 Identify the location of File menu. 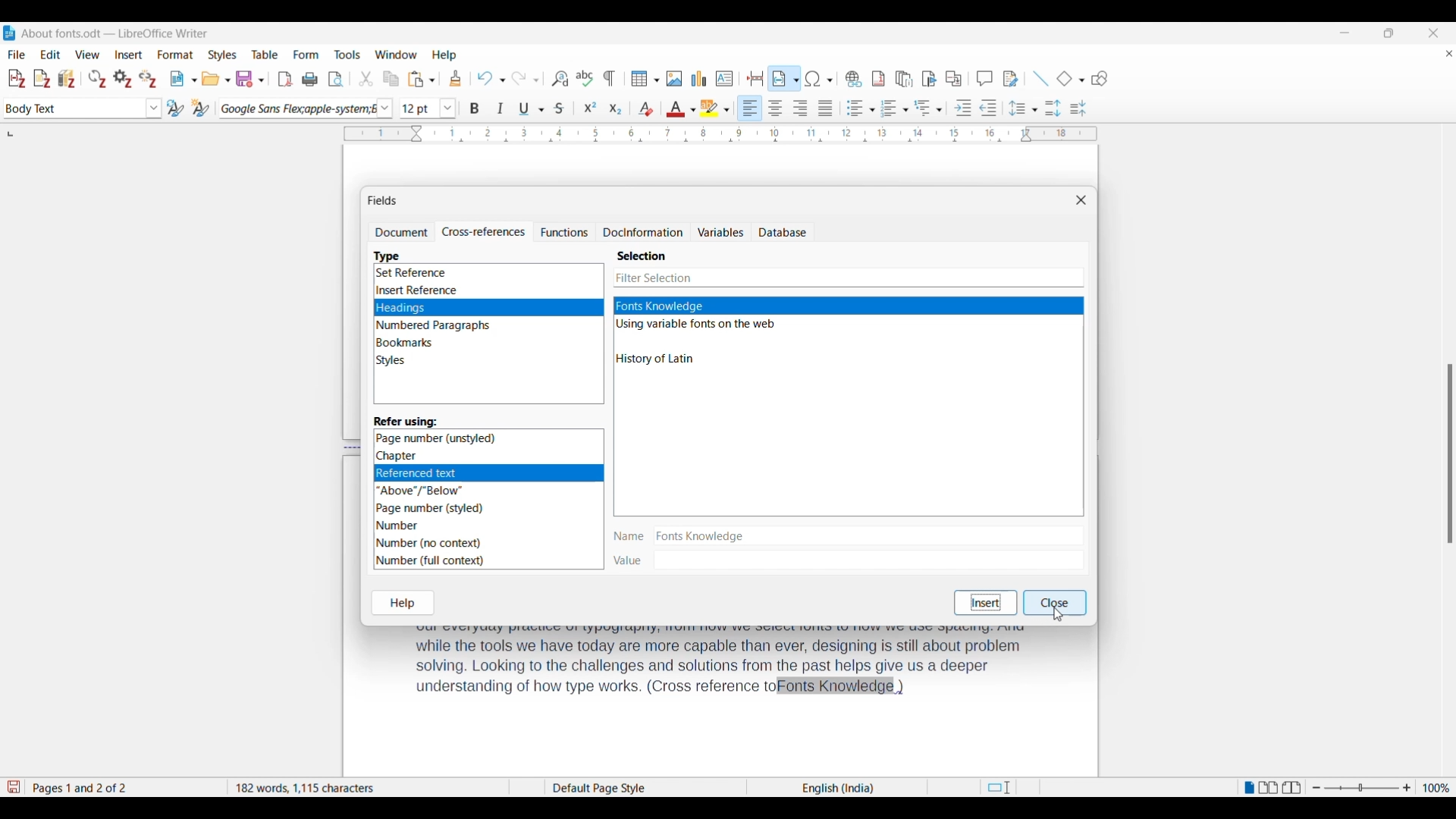
(17, 55).